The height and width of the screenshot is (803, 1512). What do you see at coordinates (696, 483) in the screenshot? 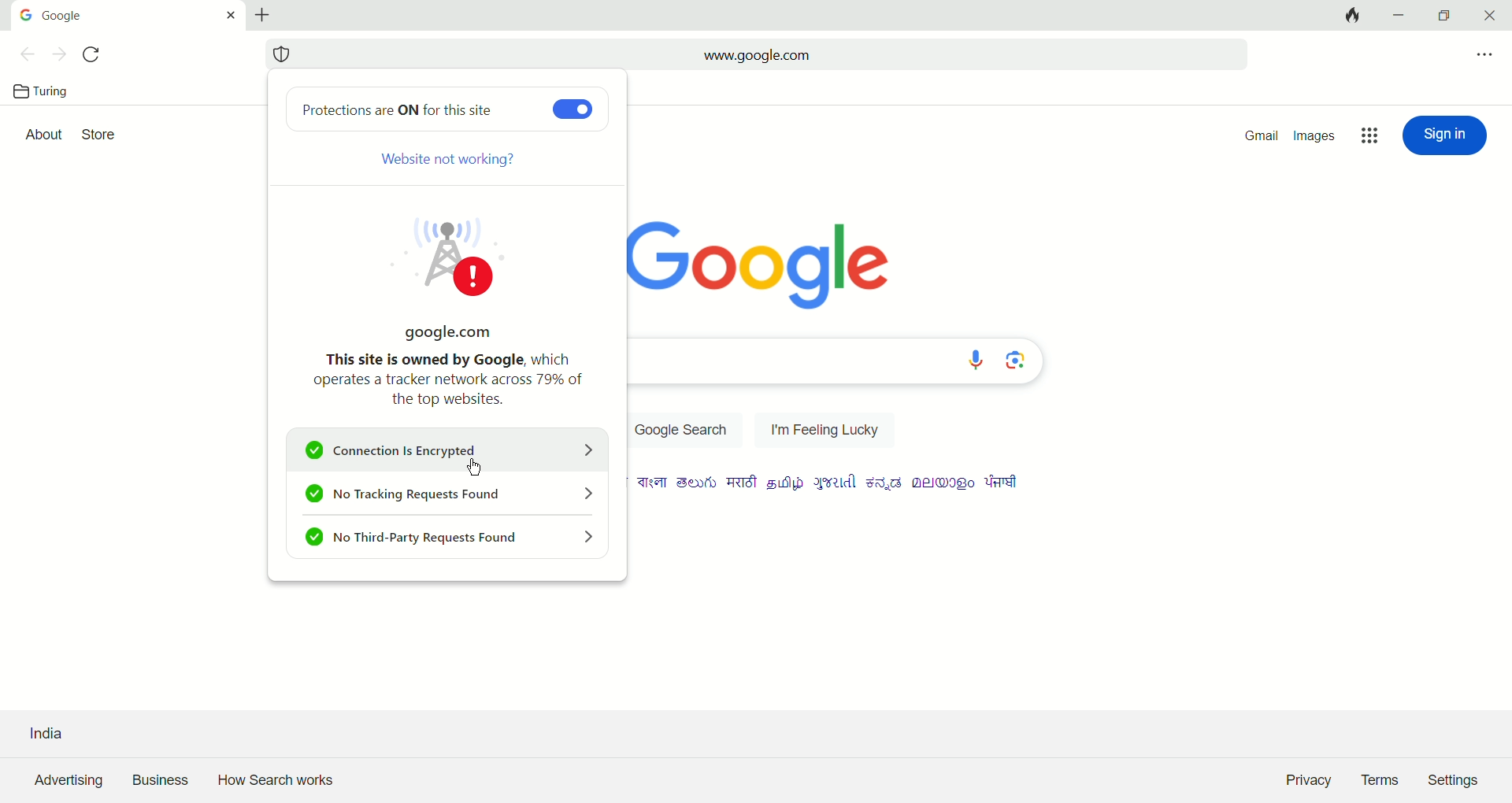
I see `language` at bounding box center [696, 483].